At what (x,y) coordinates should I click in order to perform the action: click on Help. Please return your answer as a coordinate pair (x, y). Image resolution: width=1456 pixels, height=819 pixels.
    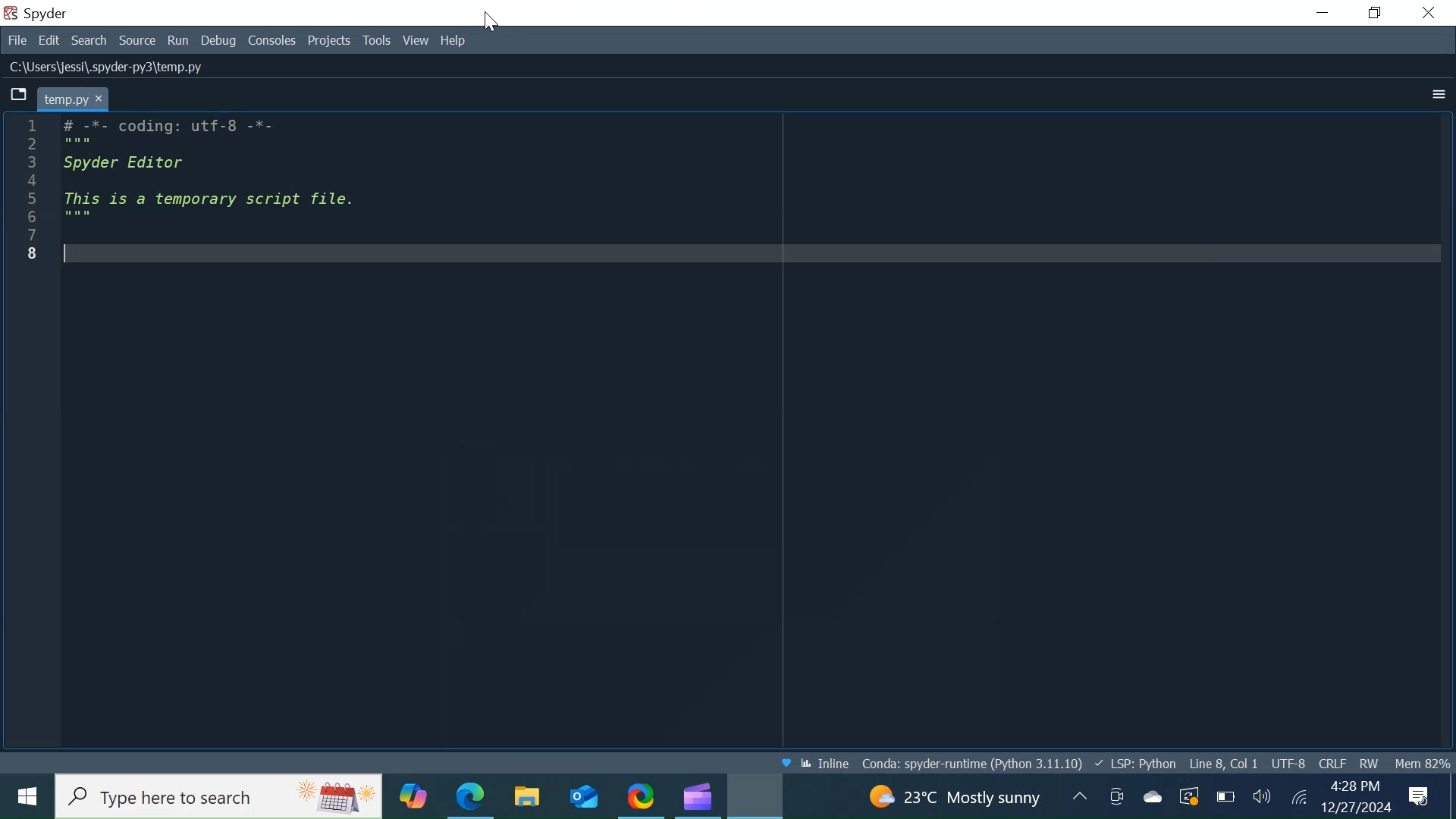
    Looking at the image, I should click on (458, 42).